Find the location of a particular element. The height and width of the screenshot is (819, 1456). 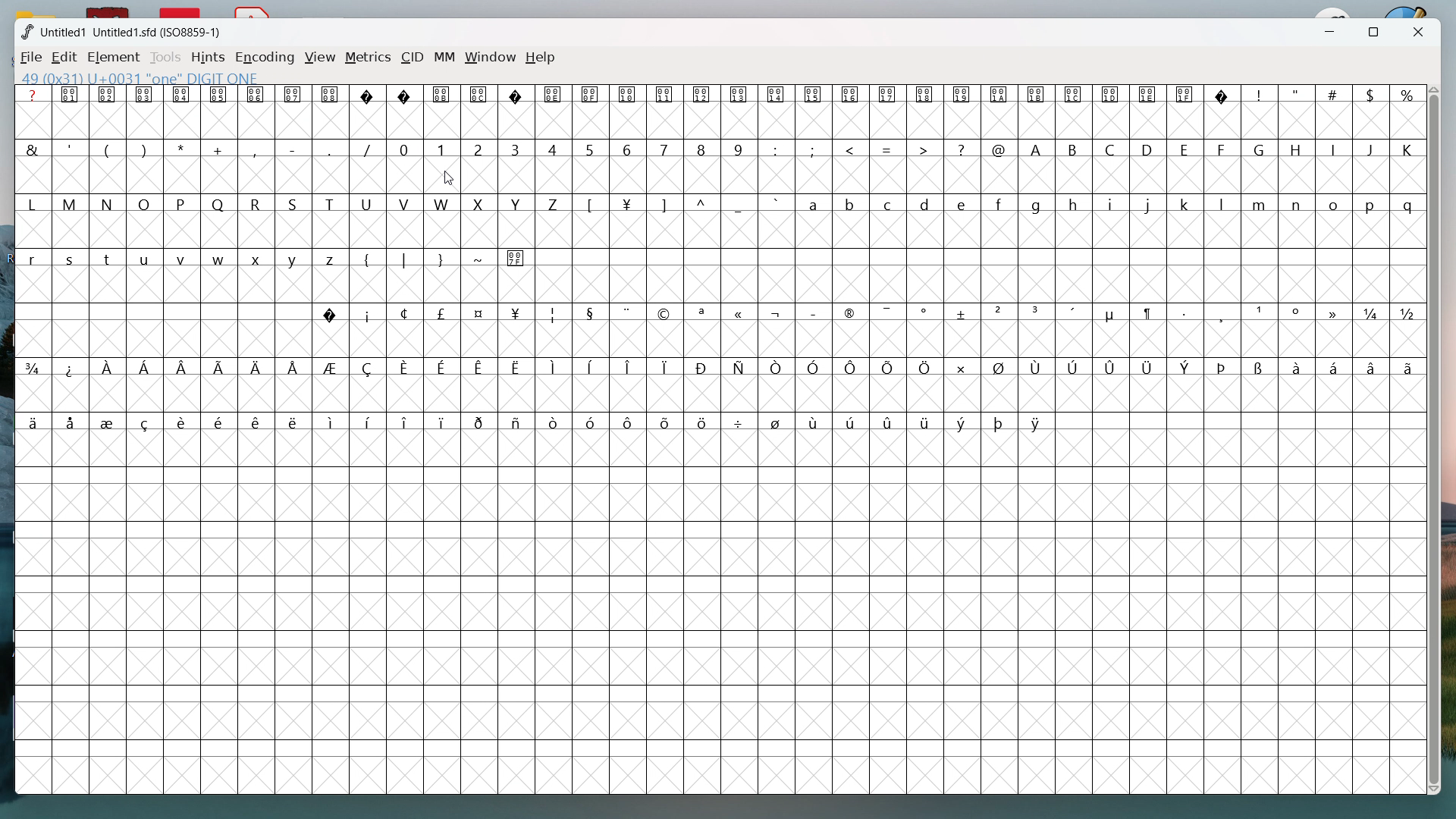

< is located at coordinates (854, 148).